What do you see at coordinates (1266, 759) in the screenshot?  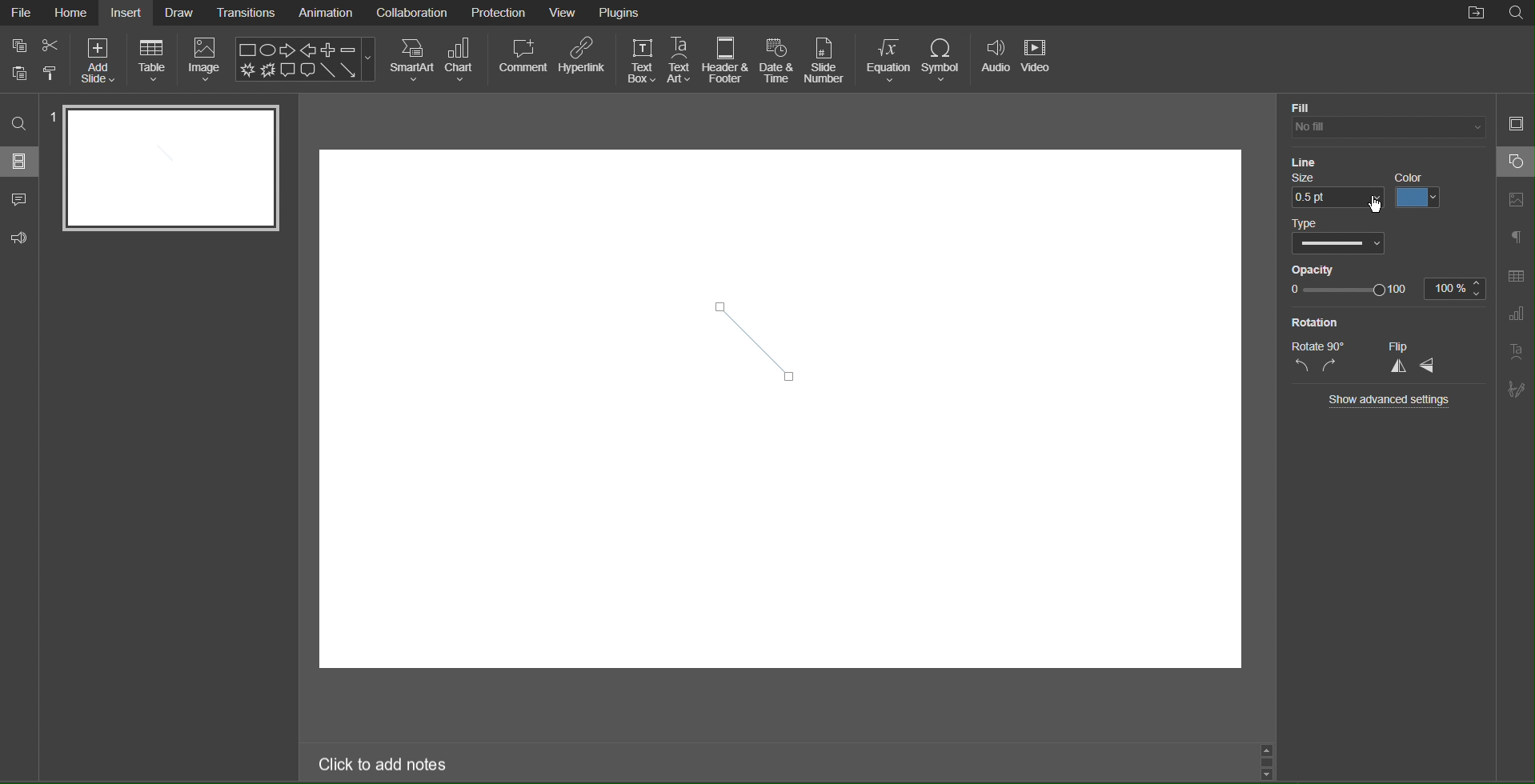 I see `Scroll Up and Down buttons` at bounding box center [1266, 759].